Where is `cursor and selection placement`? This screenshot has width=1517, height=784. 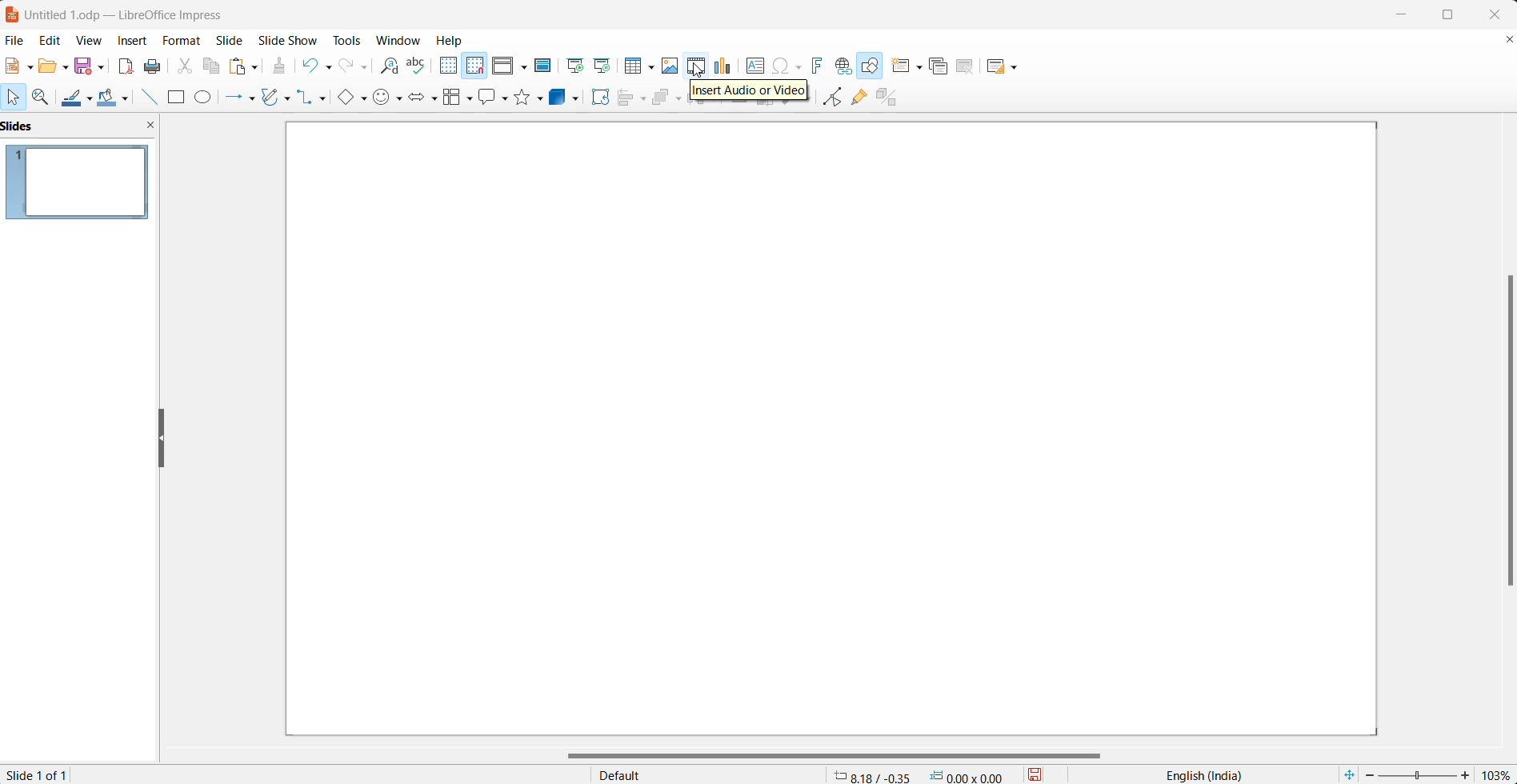 cursor and selection placement is located at coordinates (922, 774).